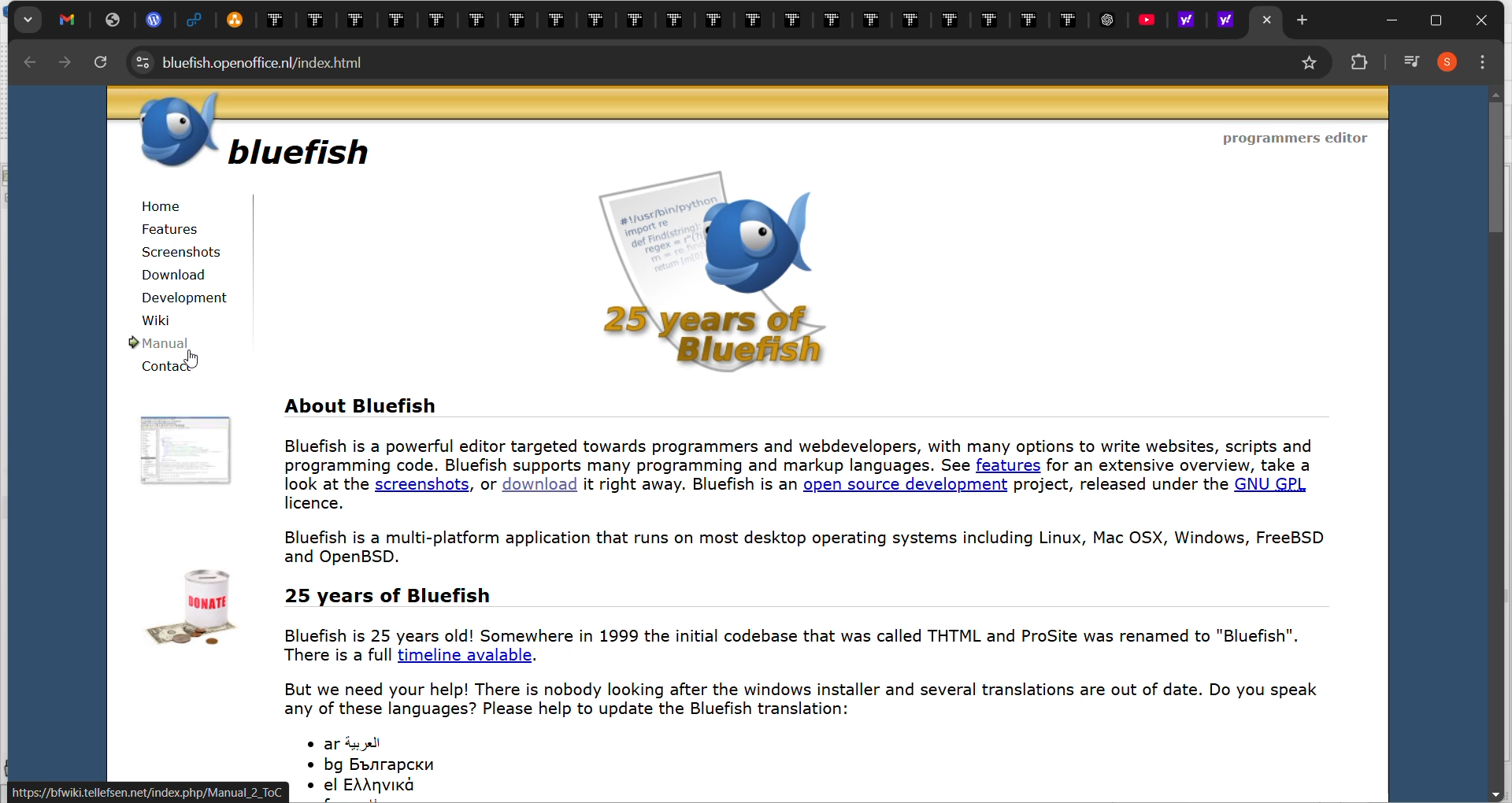  I want to click on new tab, so click(1304, 20).